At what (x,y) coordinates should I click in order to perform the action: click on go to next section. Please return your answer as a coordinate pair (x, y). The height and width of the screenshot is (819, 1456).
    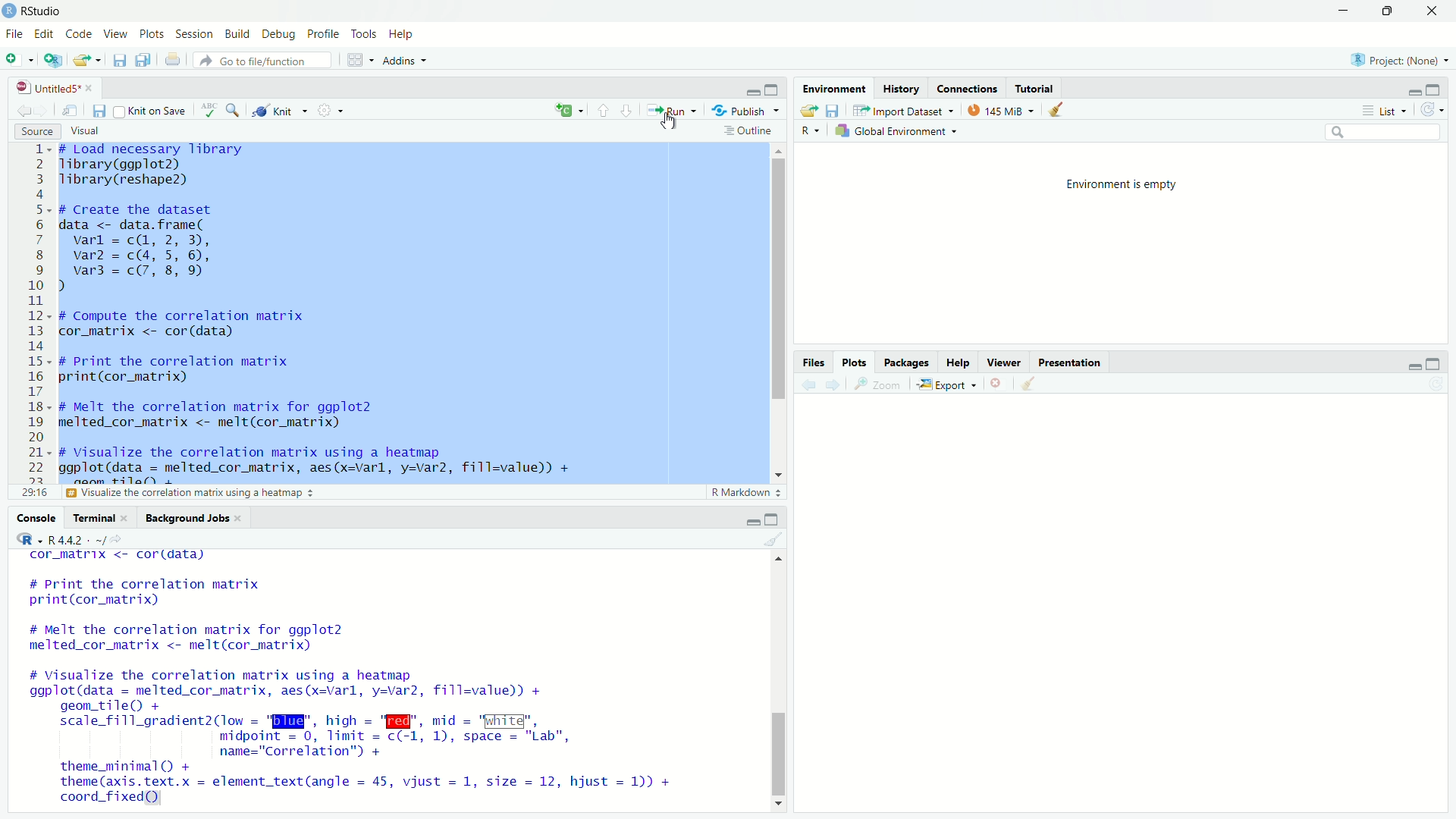
    Looking at the image, I should click on (626, 109).